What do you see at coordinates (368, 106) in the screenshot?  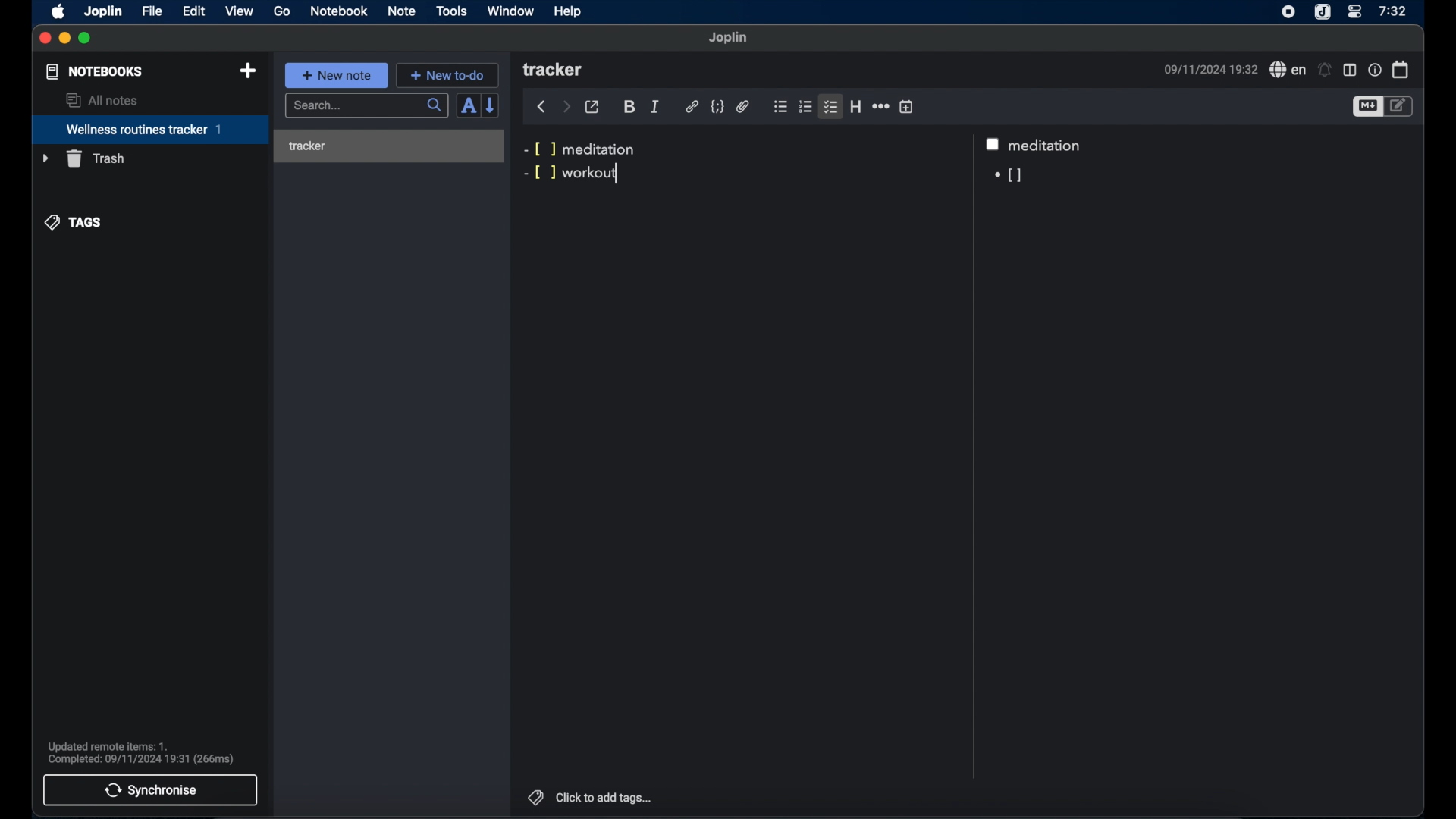 I see `search...` at bounding box center [368, 106].